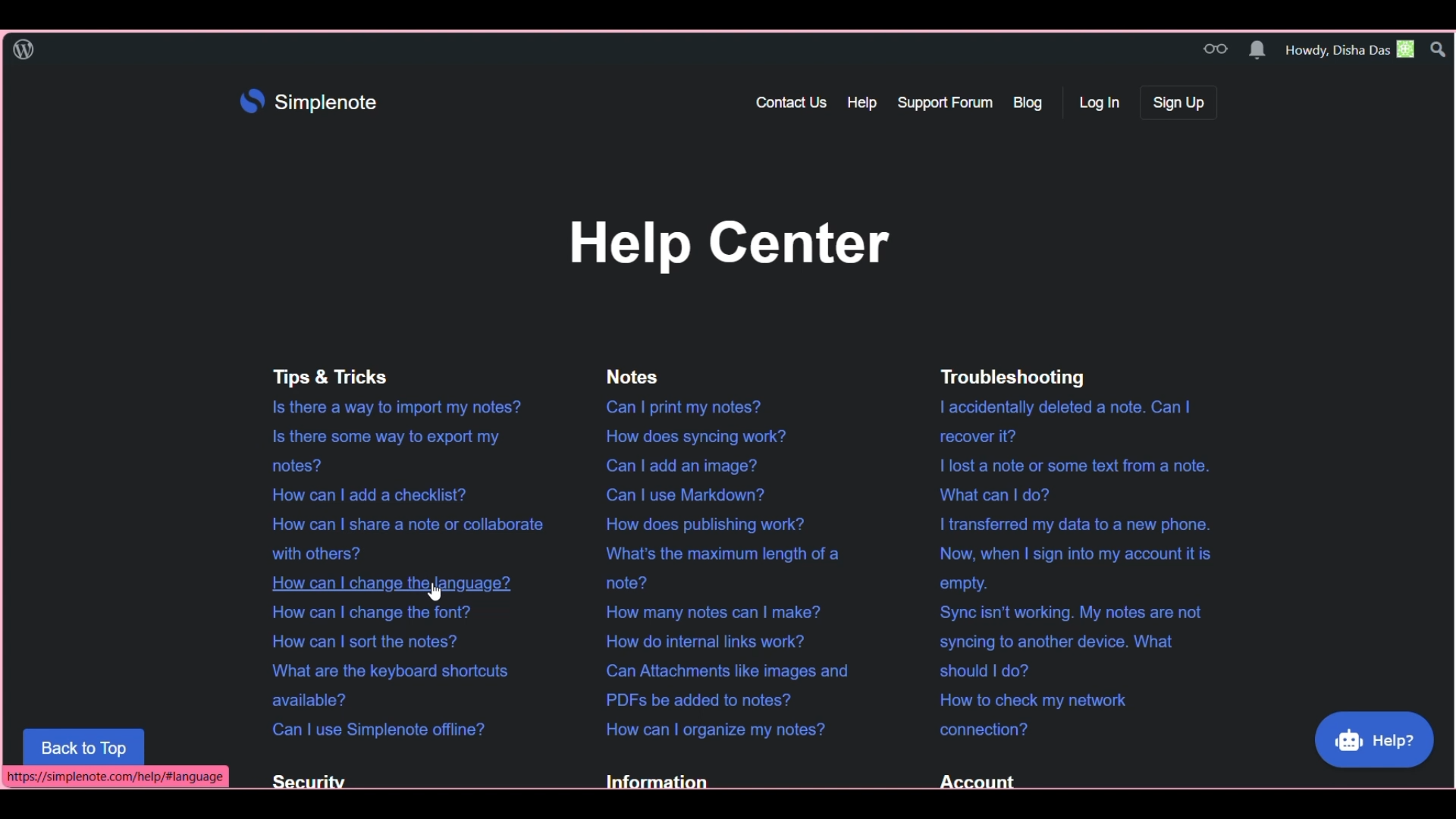  I want to click on ? How can | organize my notes?, so click(711, 729).